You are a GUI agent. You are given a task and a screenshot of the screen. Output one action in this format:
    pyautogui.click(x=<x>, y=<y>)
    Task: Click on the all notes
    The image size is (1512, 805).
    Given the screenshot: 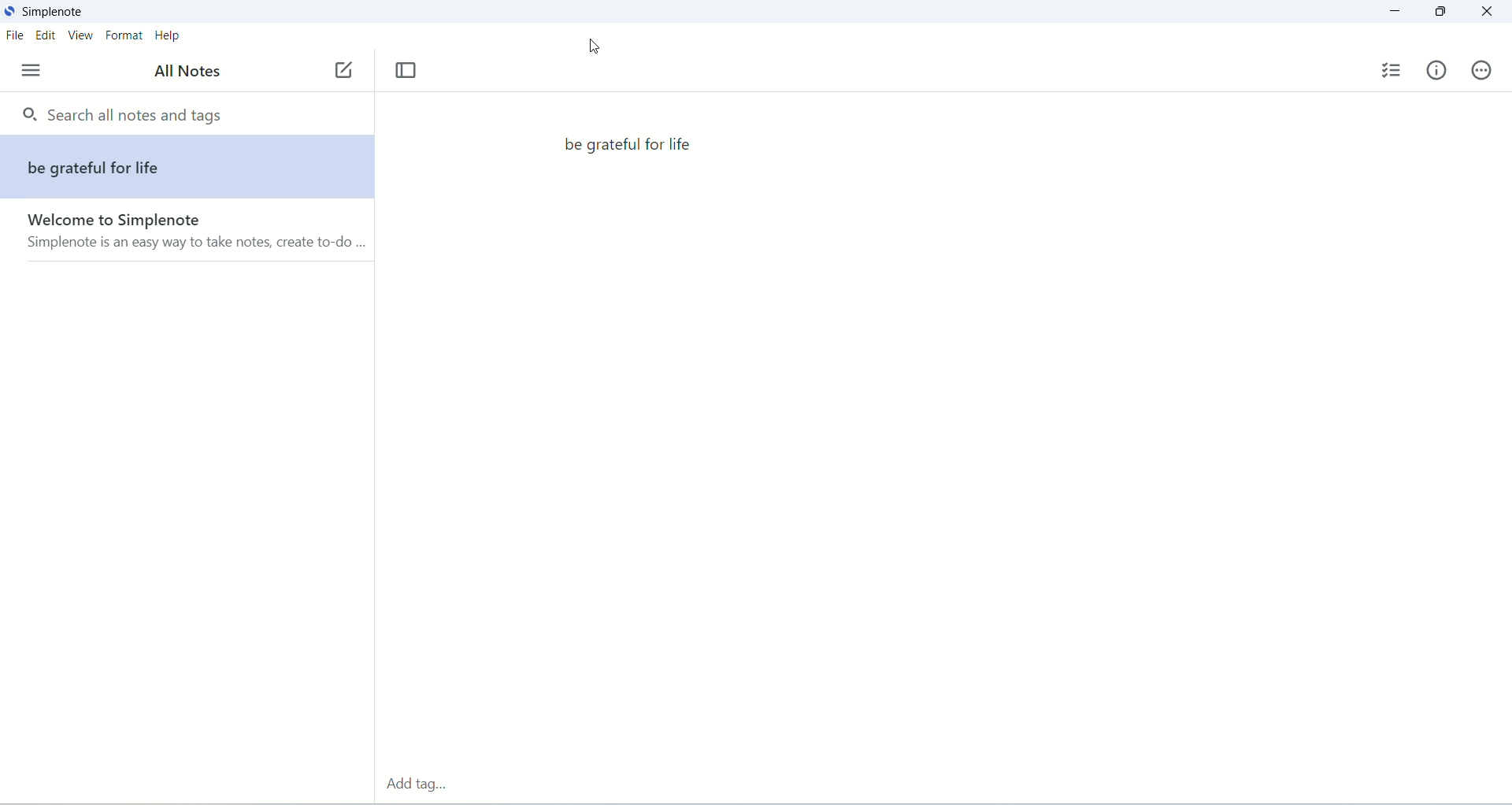 What is the action you would take?
    pyautogui.click(x=191, y=72)
    